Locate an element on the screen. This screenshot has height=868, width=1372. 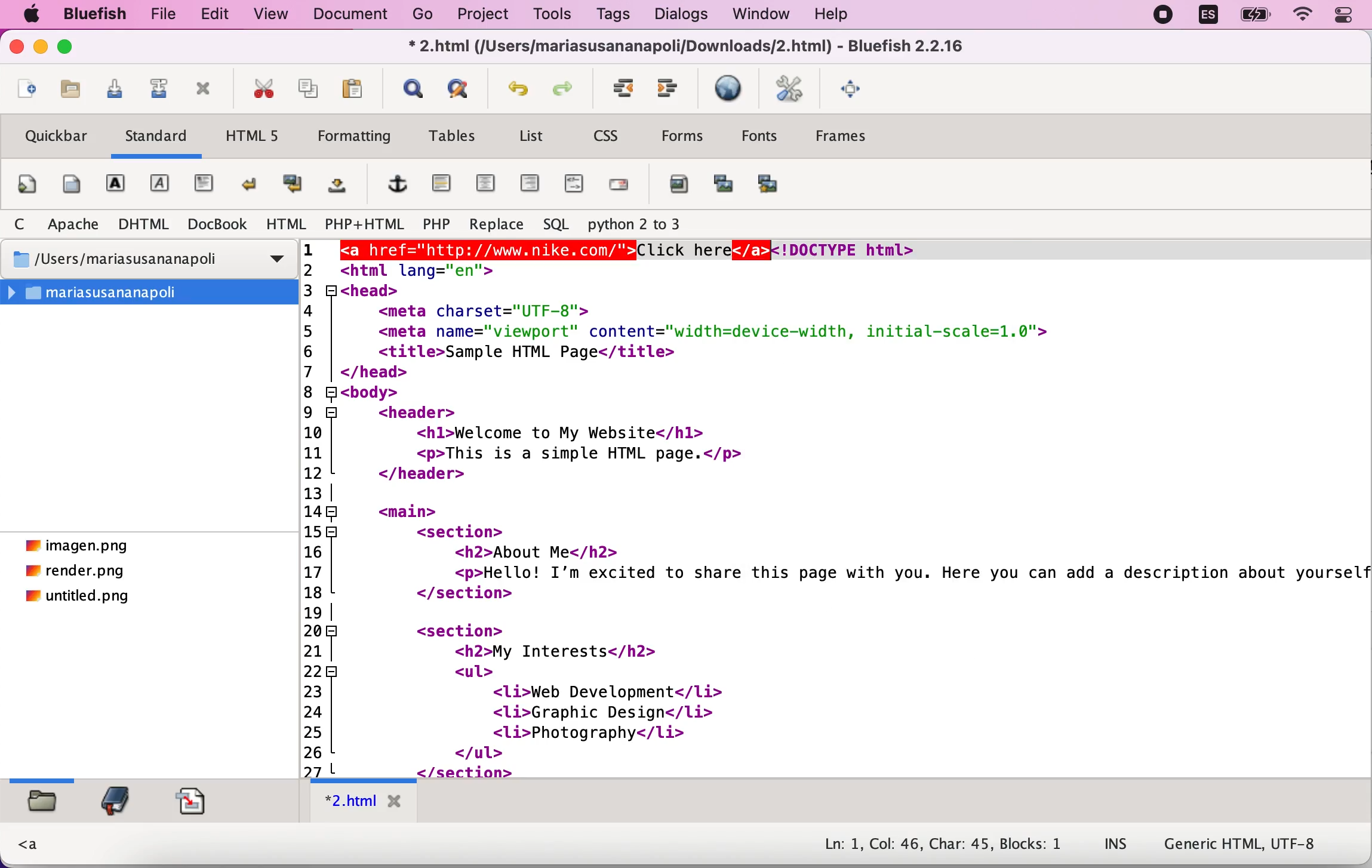
render.png is located at coordinates (77, 572).